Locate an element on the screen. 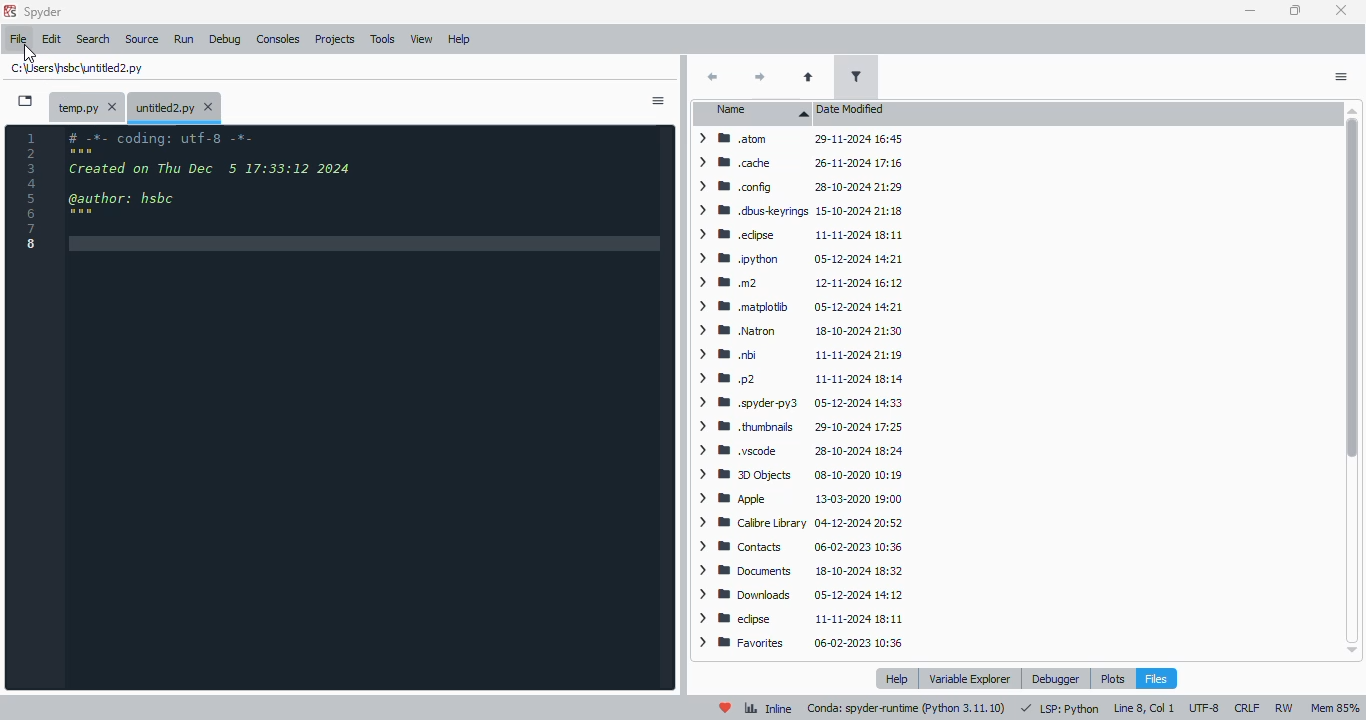 The width and height of the screenshot is (1366, 720). view is located at coordinates (422, 40).